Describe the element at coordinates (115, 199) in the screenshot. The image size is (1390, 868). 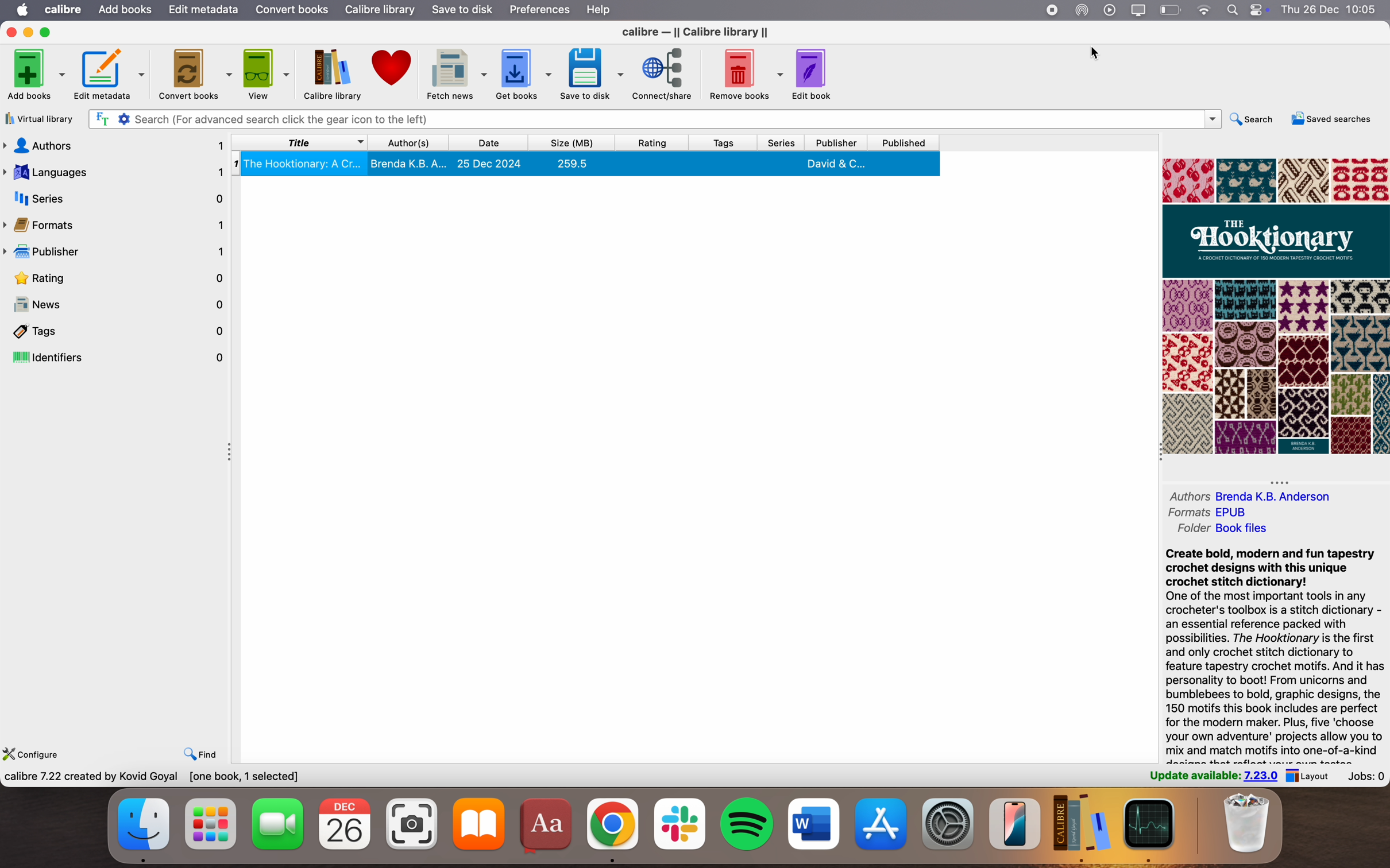
I see `series` at that location.